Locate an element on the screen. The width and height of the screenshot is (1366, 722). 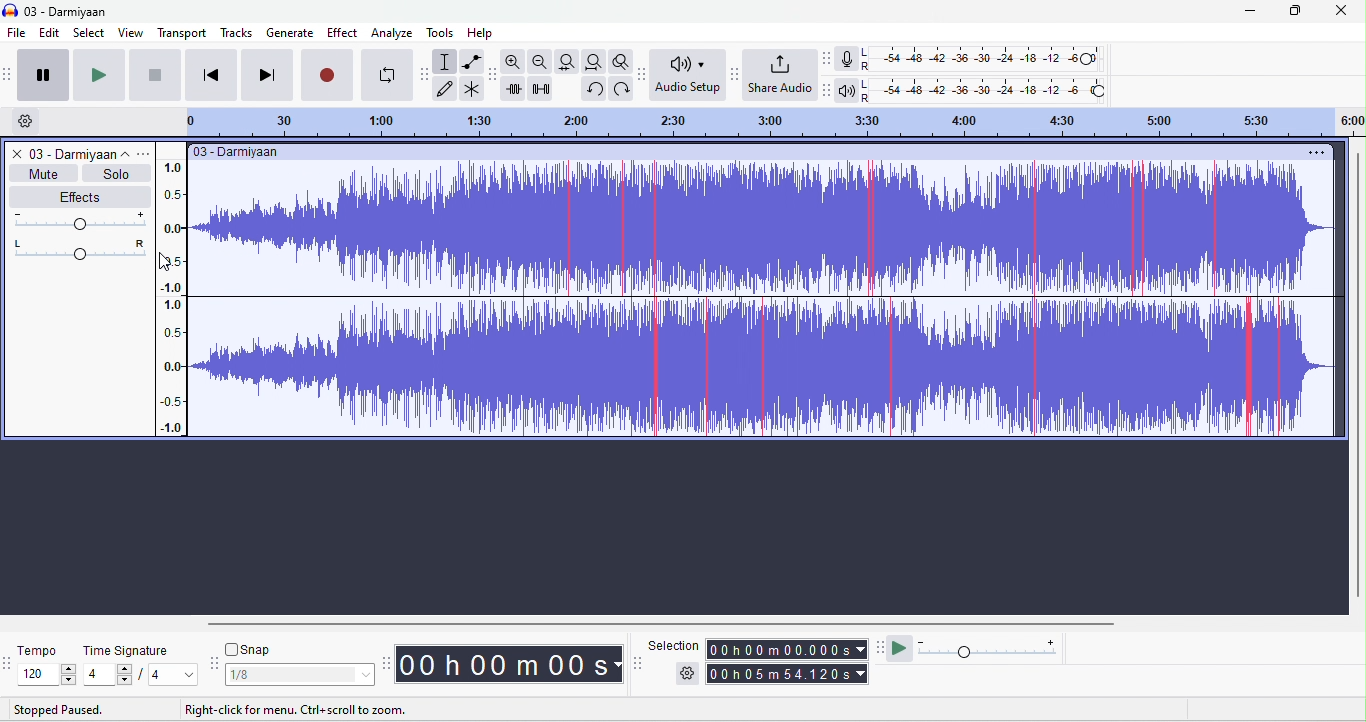
effects is located at coordinates (79, 196).